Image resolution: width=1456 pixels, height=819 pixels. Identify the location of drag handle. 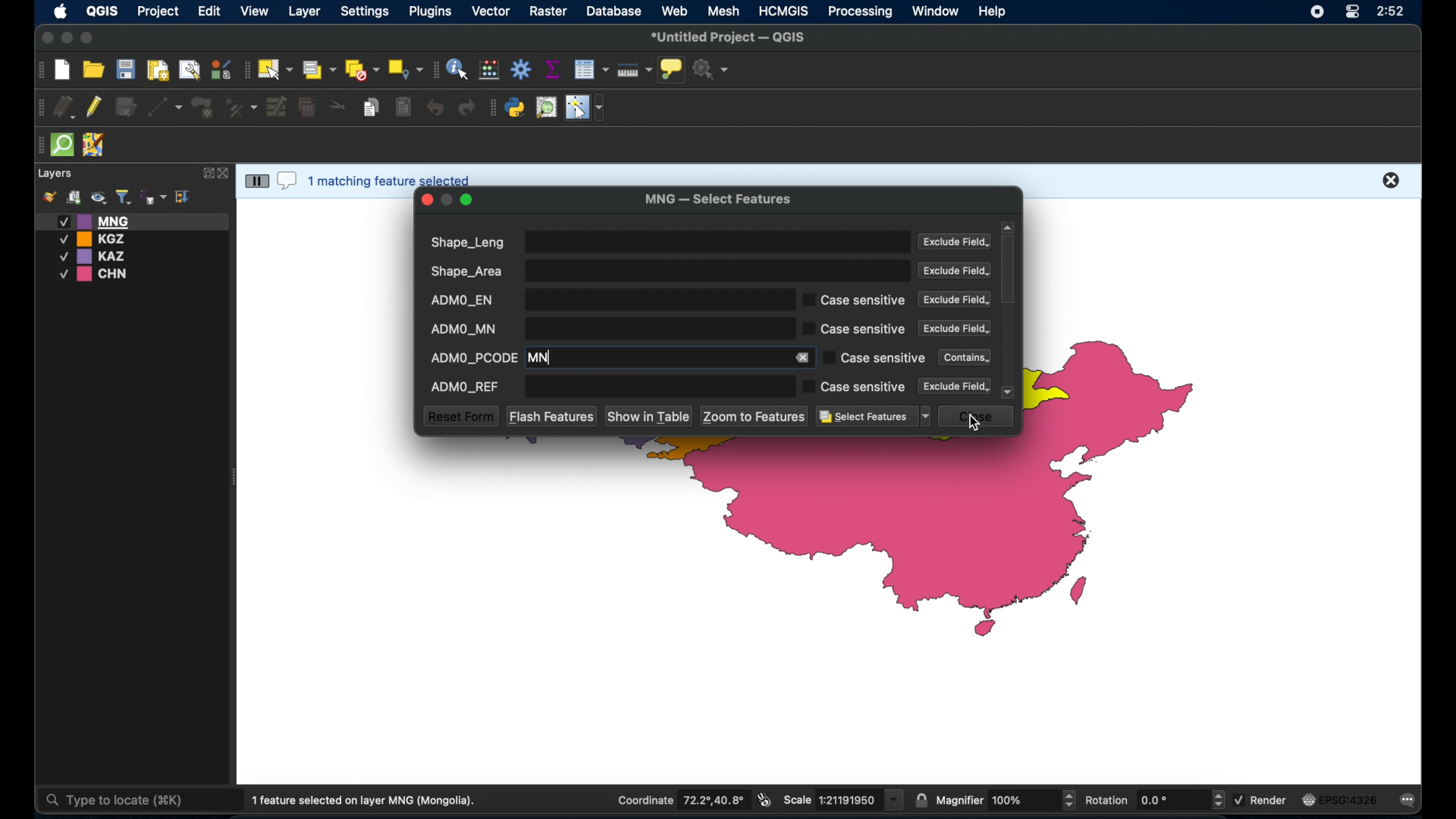
(38, 145).